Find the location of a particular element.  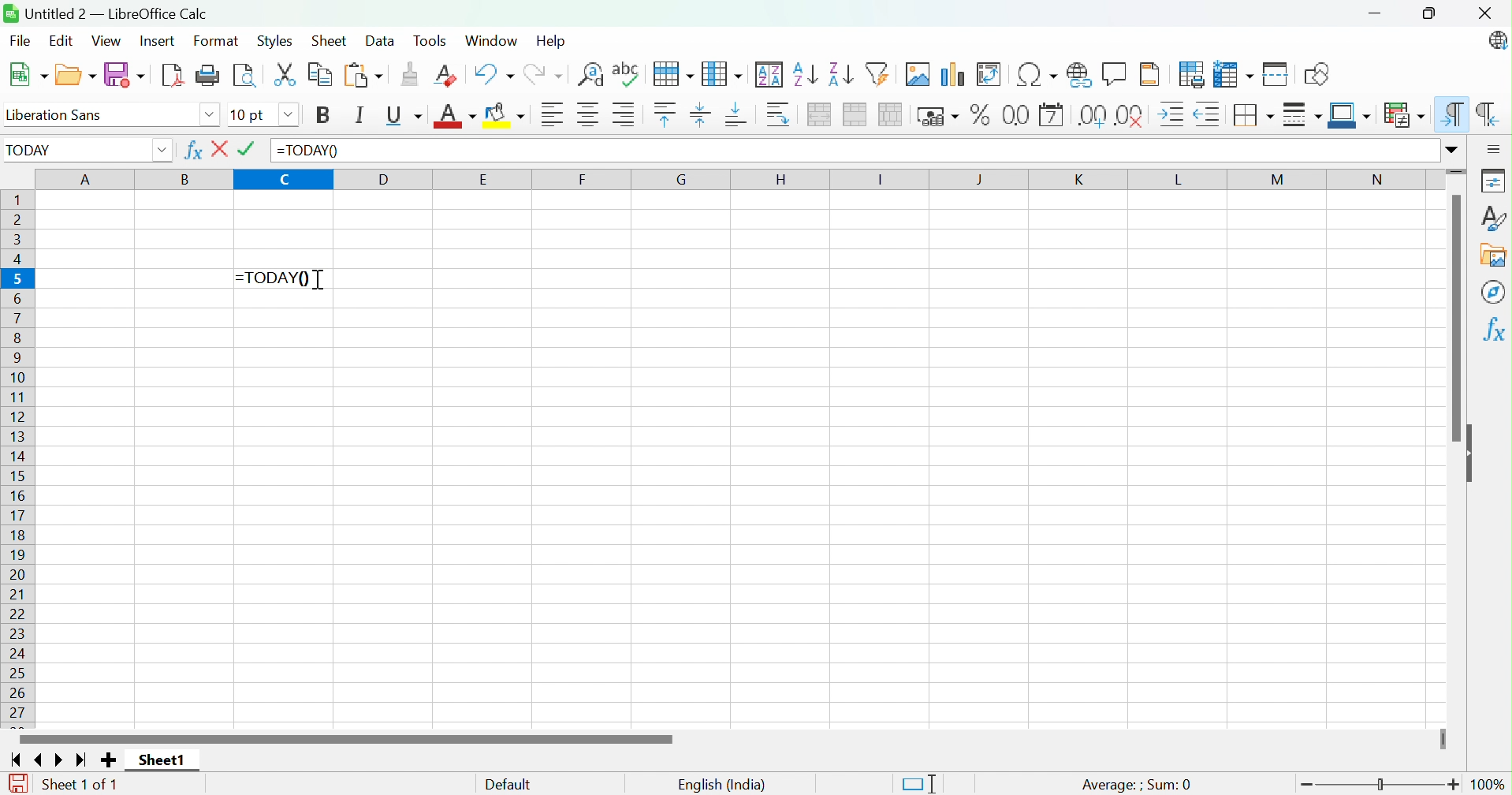

Underline is located at coordinates (407, 117).